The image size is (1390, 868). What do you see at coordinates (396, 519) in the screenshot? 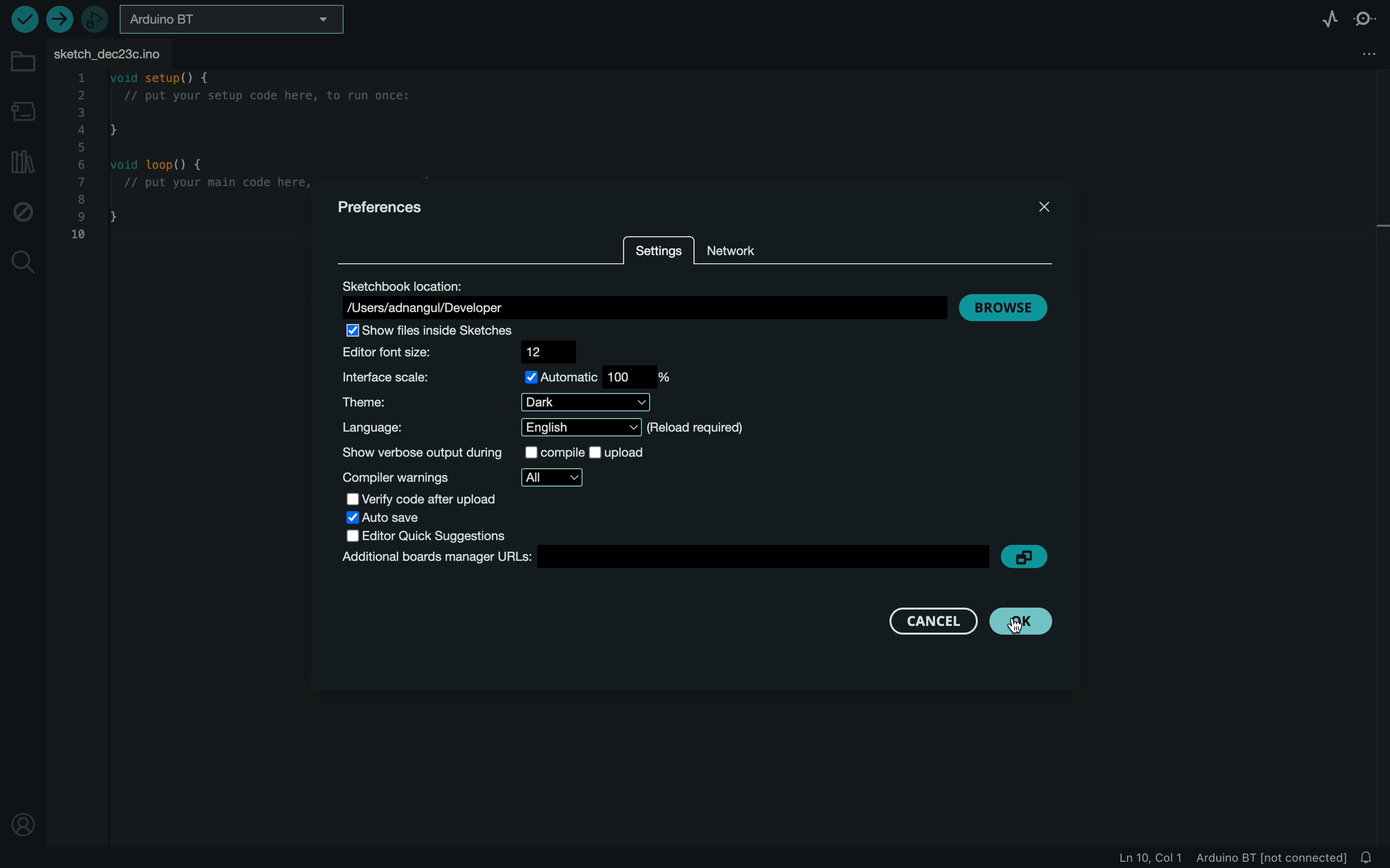
I see `auto save` at bounding box center [396, 519].